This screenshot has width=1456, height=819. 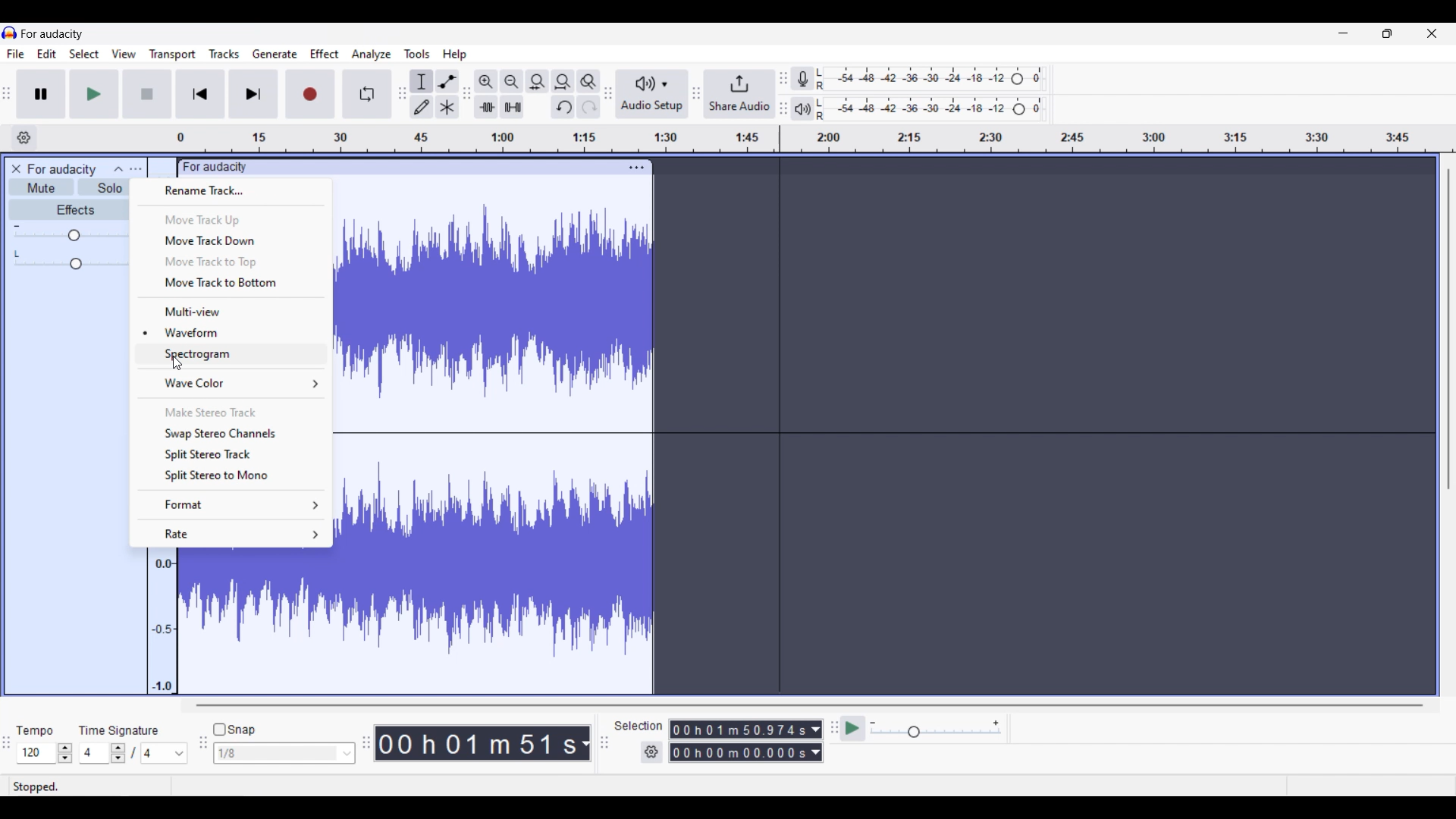 I want to click on Selection tool, so click(x=421, y=80).